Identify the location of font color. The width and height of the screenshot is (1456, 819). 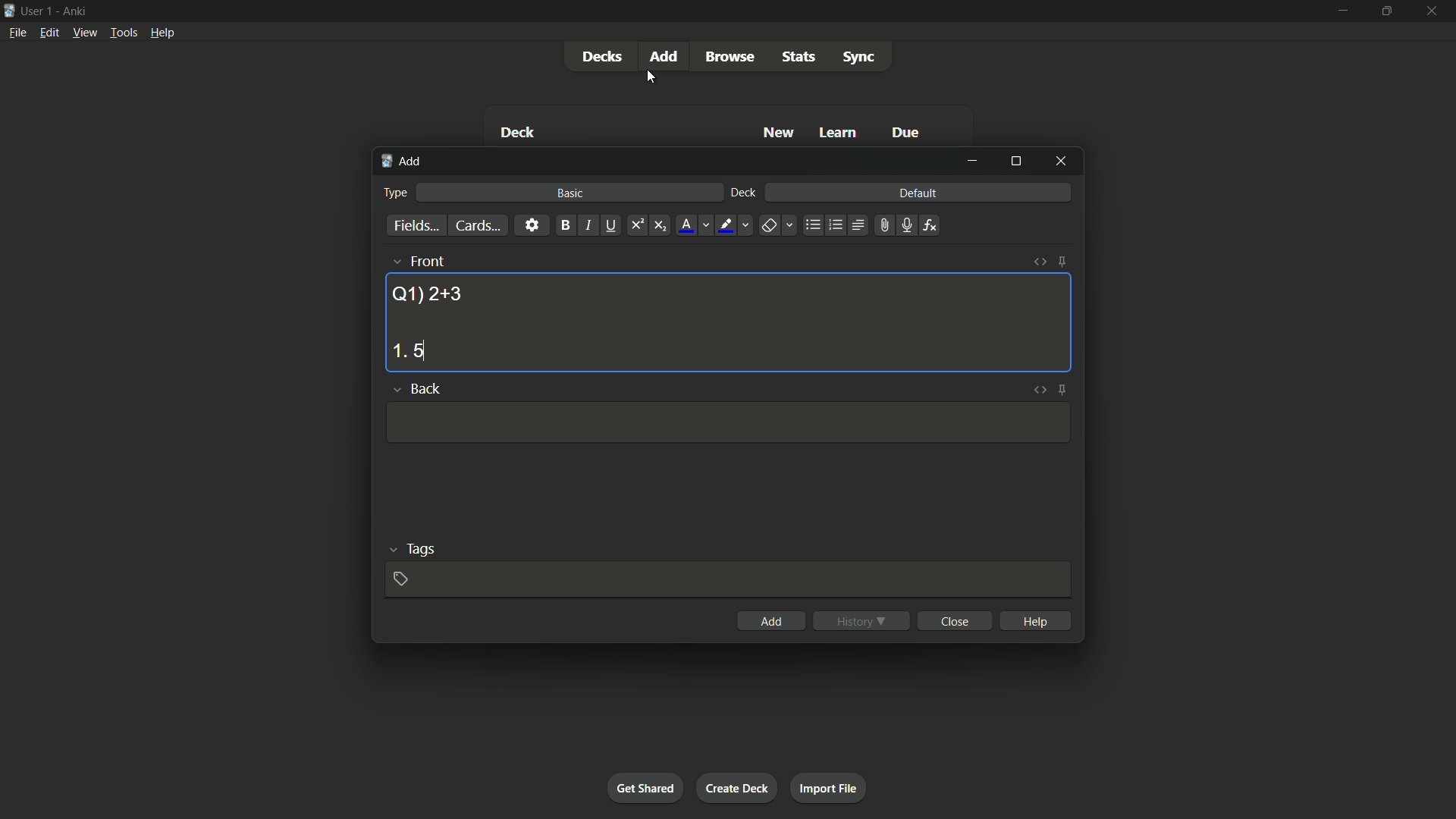
(687, 225).